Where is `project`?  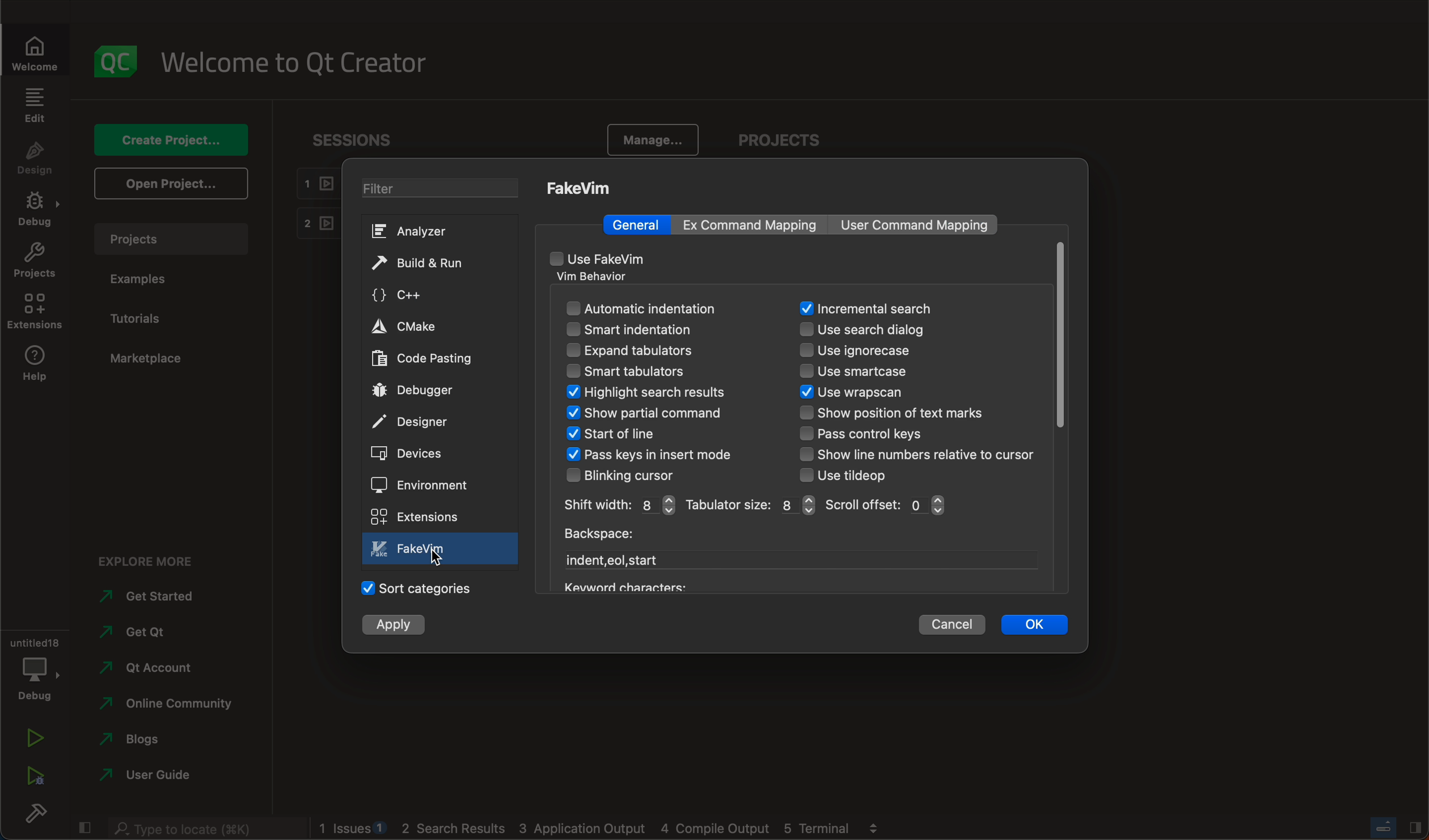
project is located at coordinates (787, 137).